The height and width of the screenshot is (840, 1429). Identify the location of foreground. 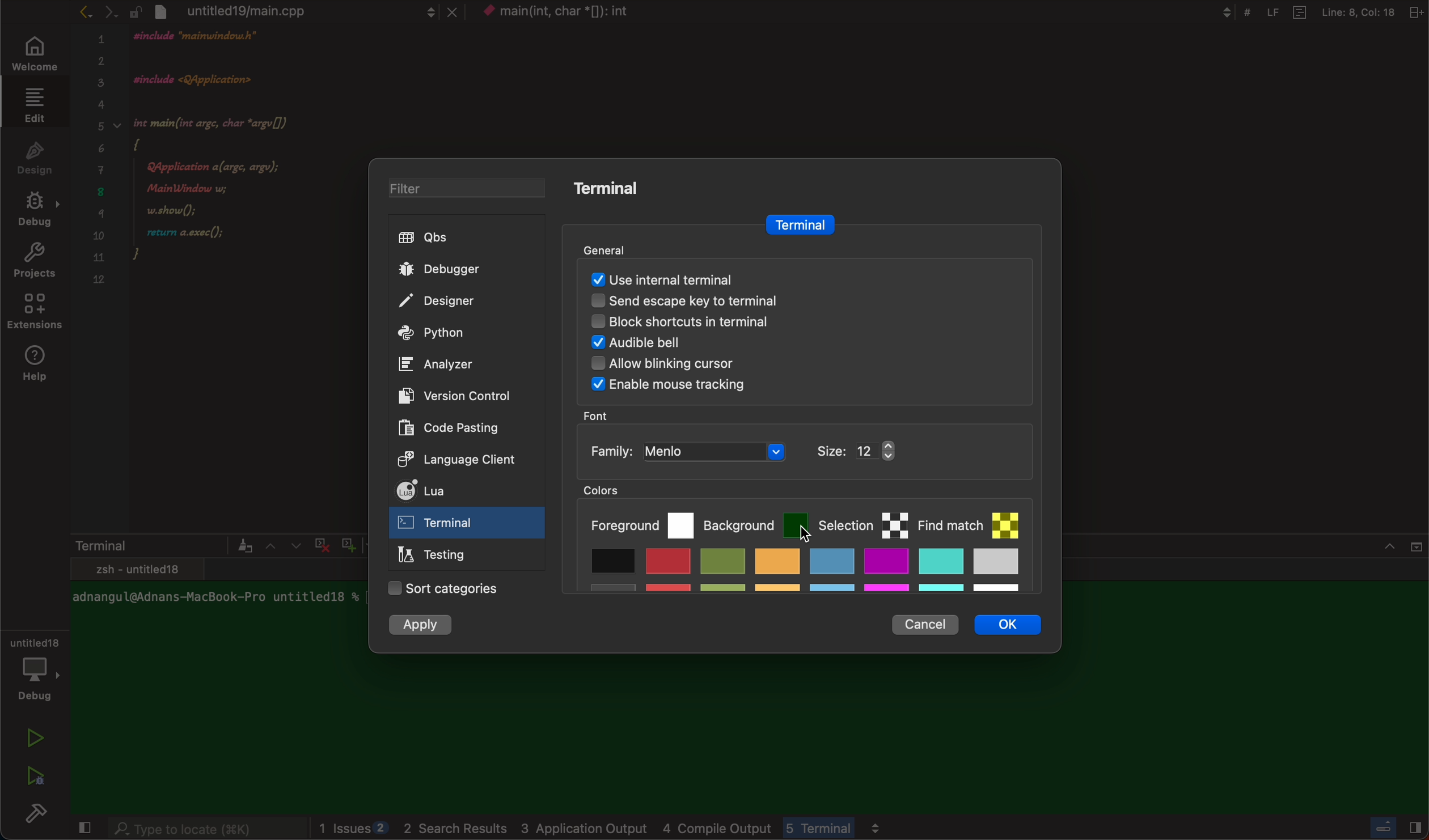
(641, 523).